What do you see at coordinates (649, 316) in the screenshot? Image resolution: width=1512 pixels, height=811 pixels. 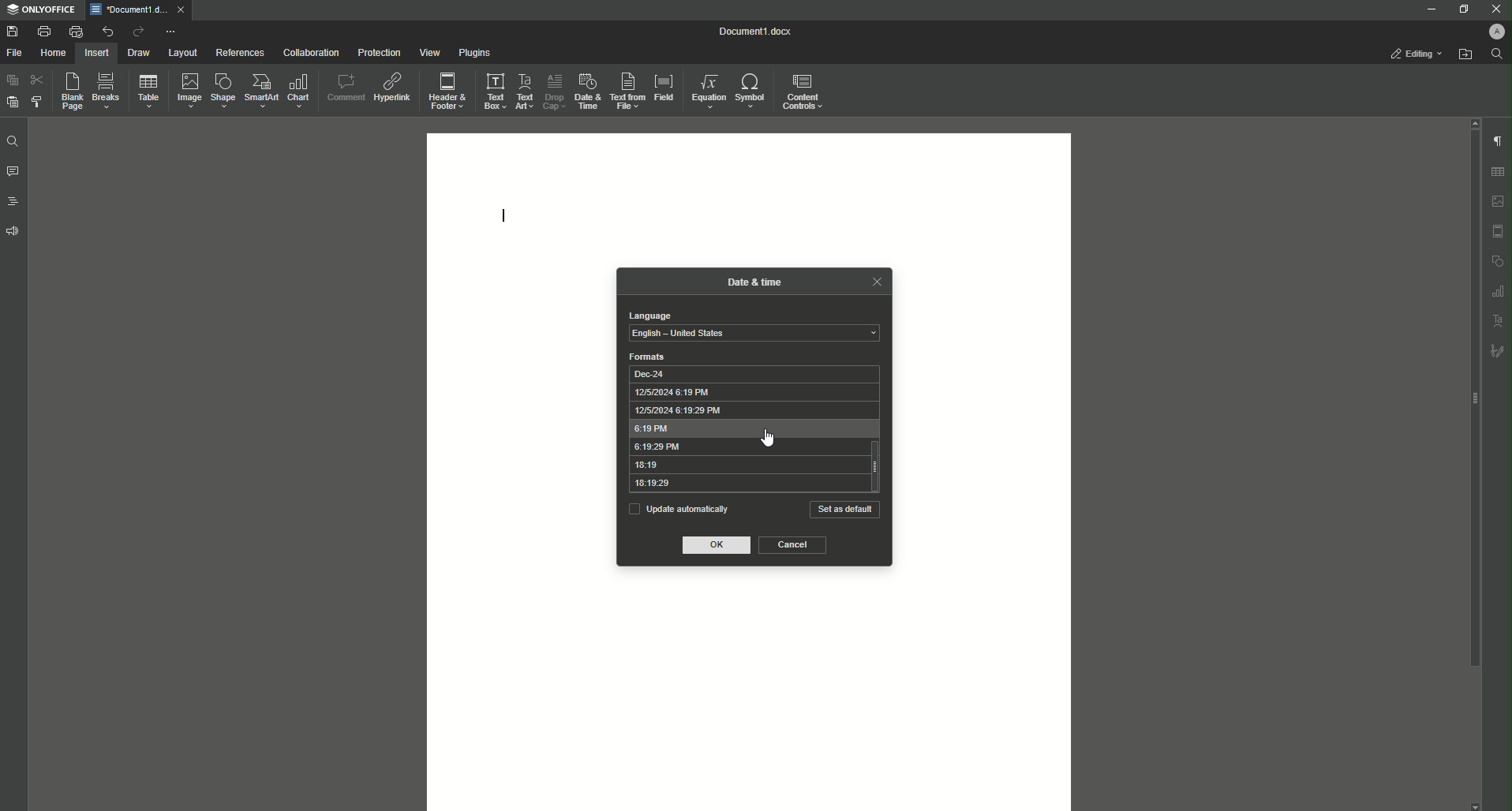 I see `language` at bounding box center [649, 316].